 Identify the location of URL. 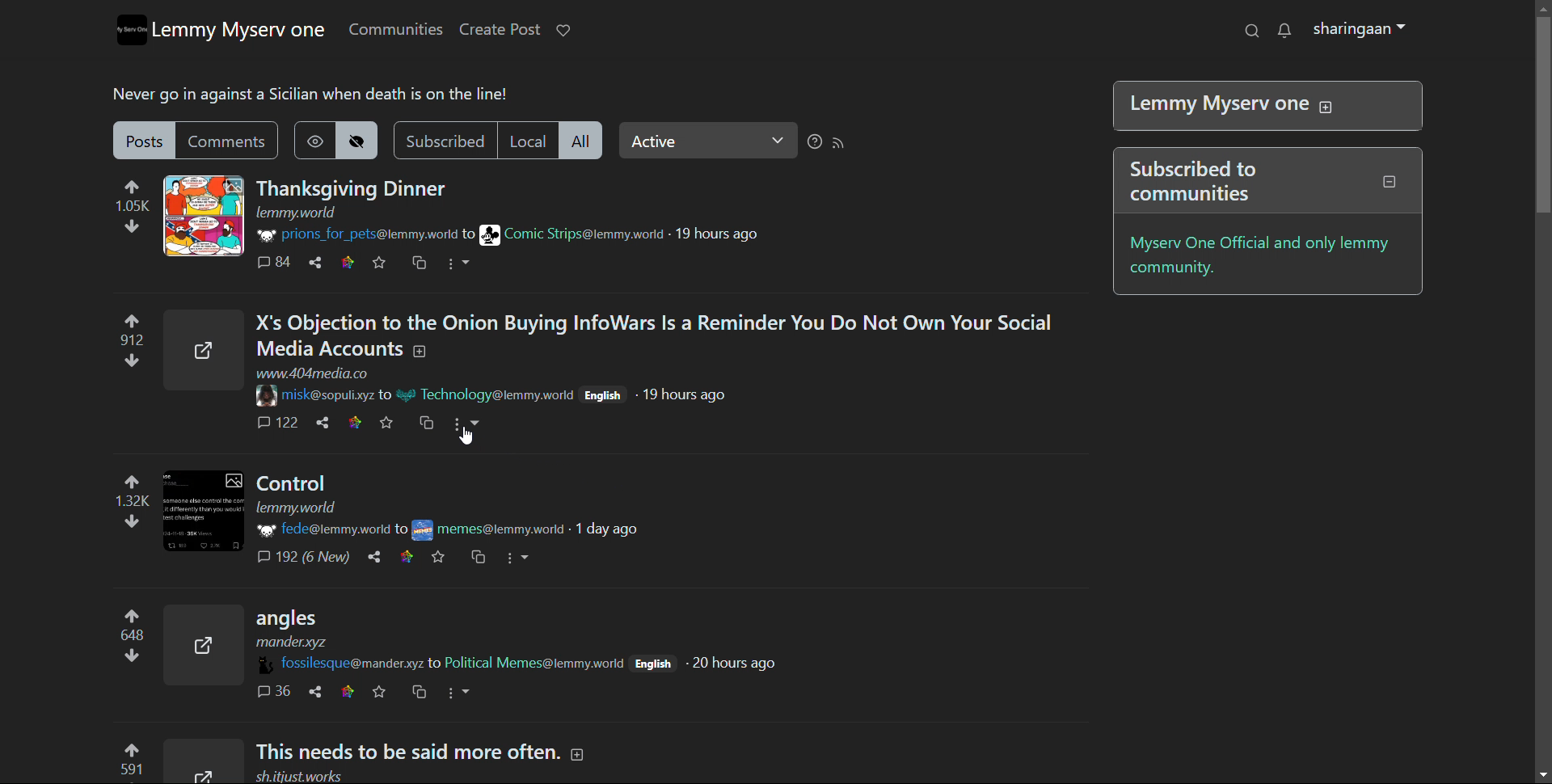
(318, 374).